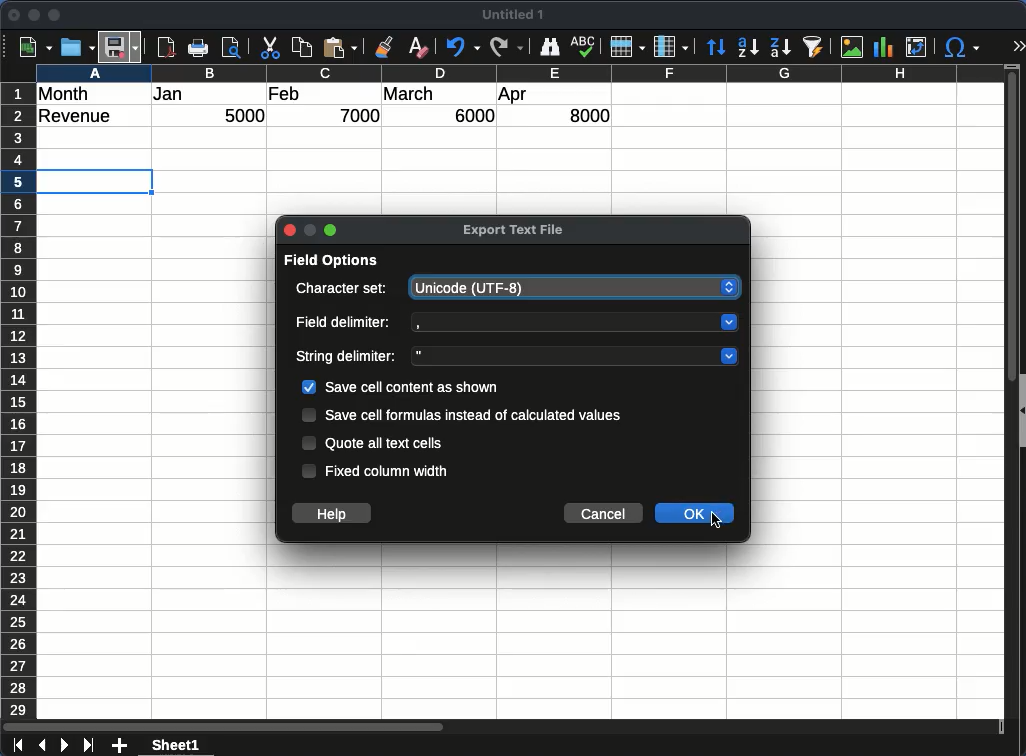 The width and height of the screenshot is (1026, 756). What do you see at coordinates (388, 47) in the screenshot?
I see `clone formatting` at bounding box center [388, 47].